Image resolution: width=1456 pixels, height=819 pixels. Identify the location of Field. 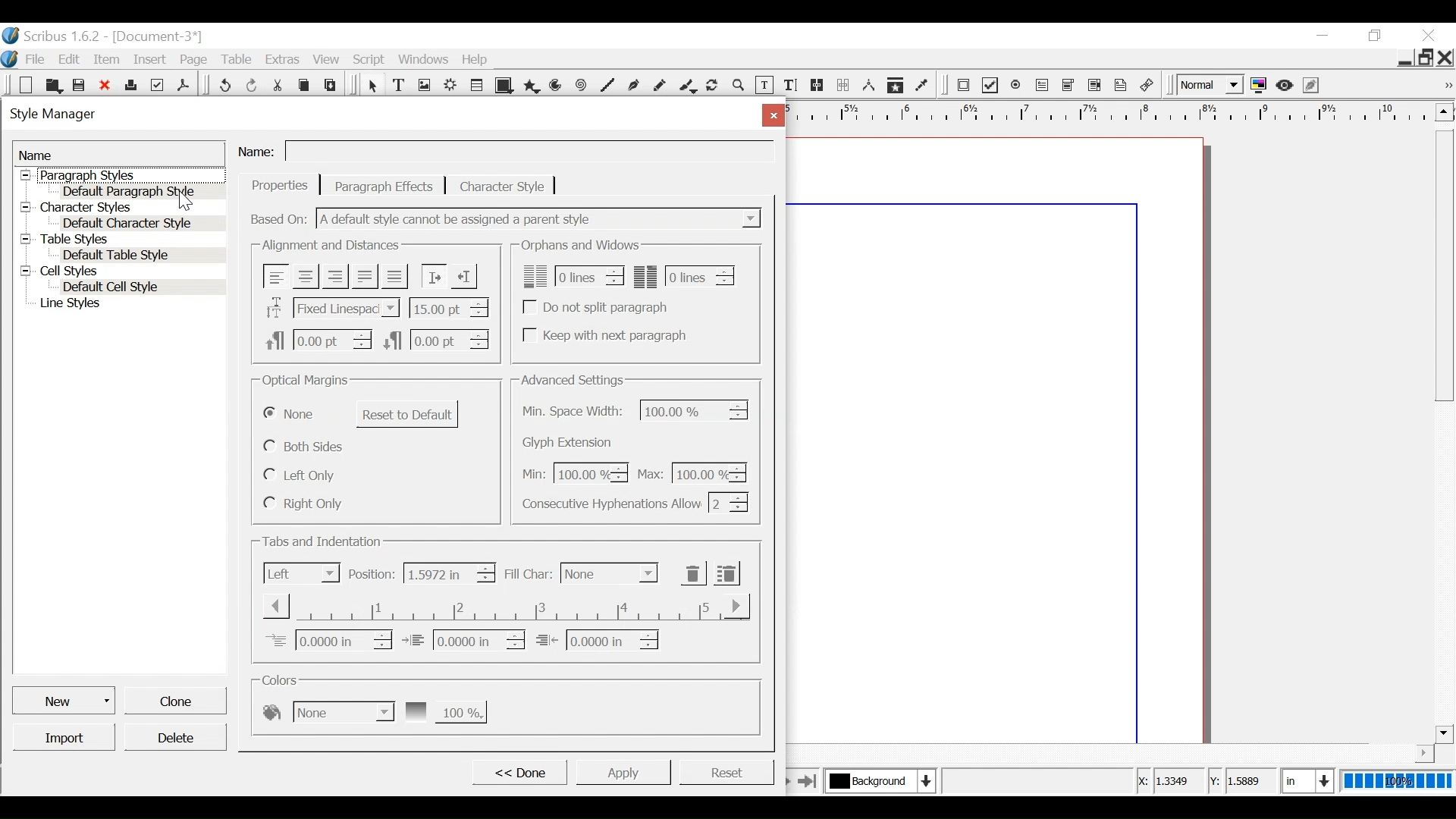
(529, 152).